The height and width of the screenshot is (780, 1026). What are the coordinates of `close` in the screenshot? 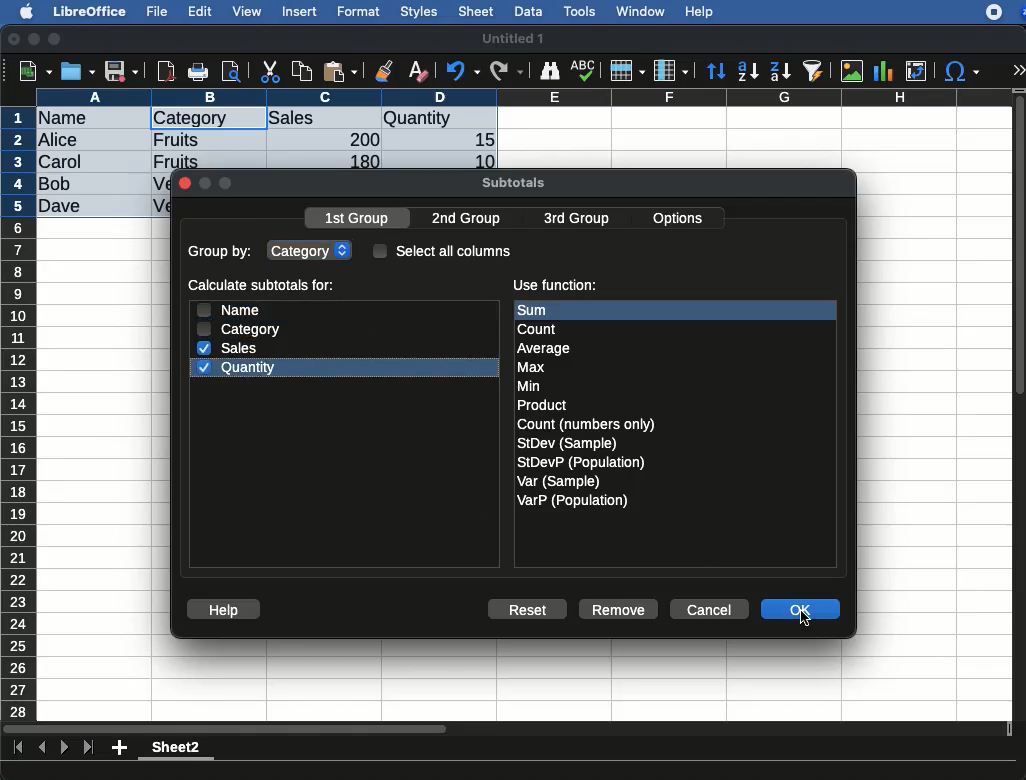 It's located at (184, 185).